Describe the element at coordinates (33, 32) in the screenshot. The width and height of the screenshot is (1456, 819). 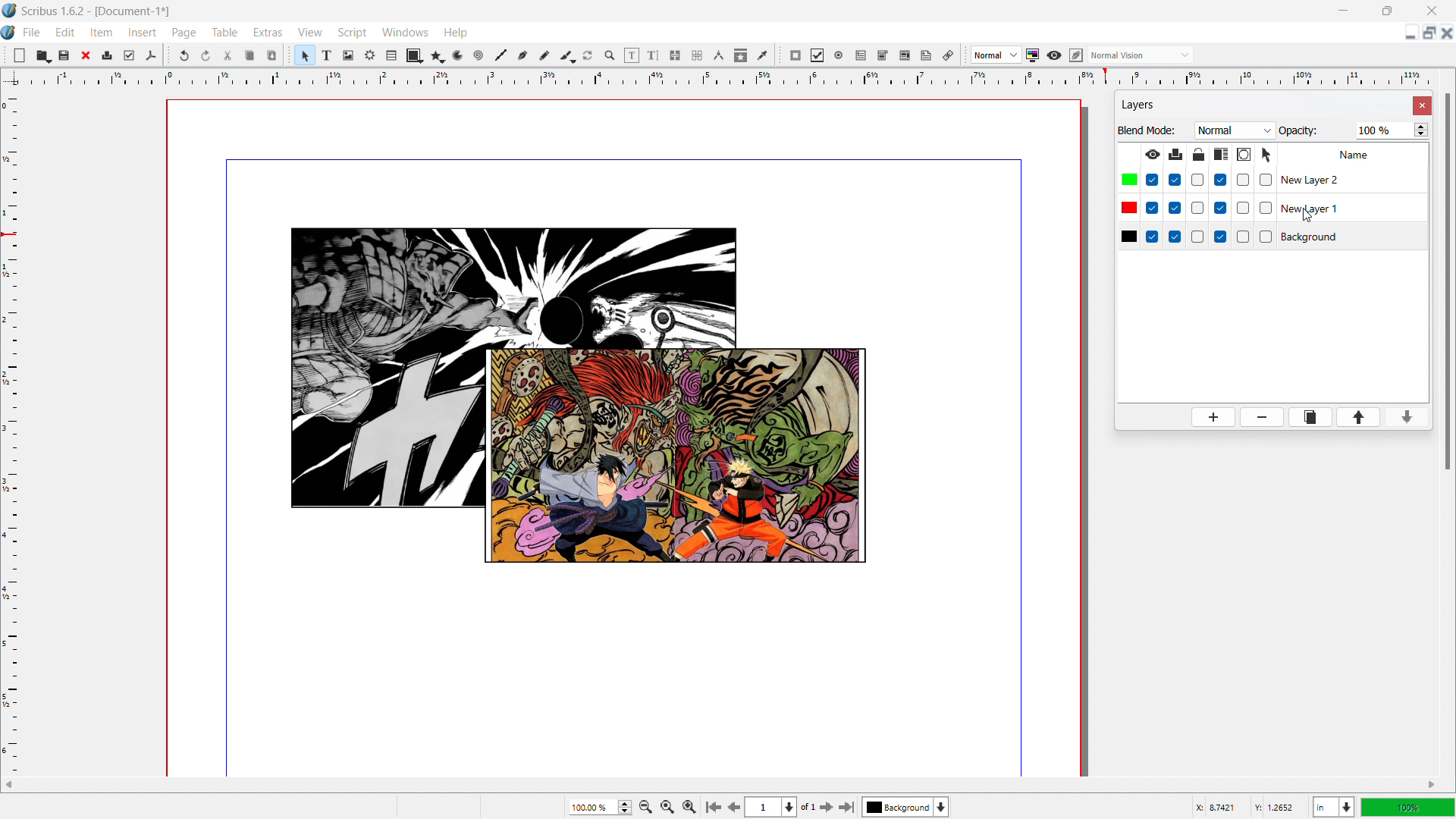
I see `file` at that location.